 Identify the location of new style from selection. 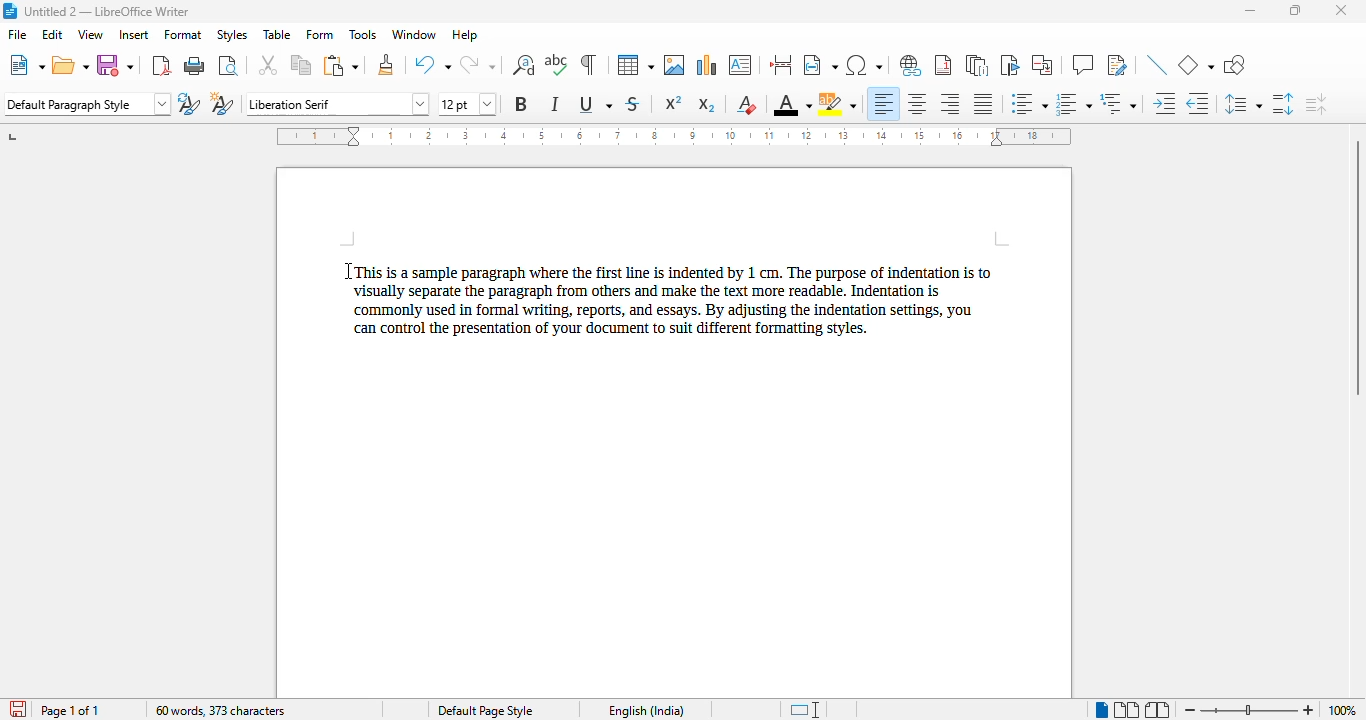
(222, 102).